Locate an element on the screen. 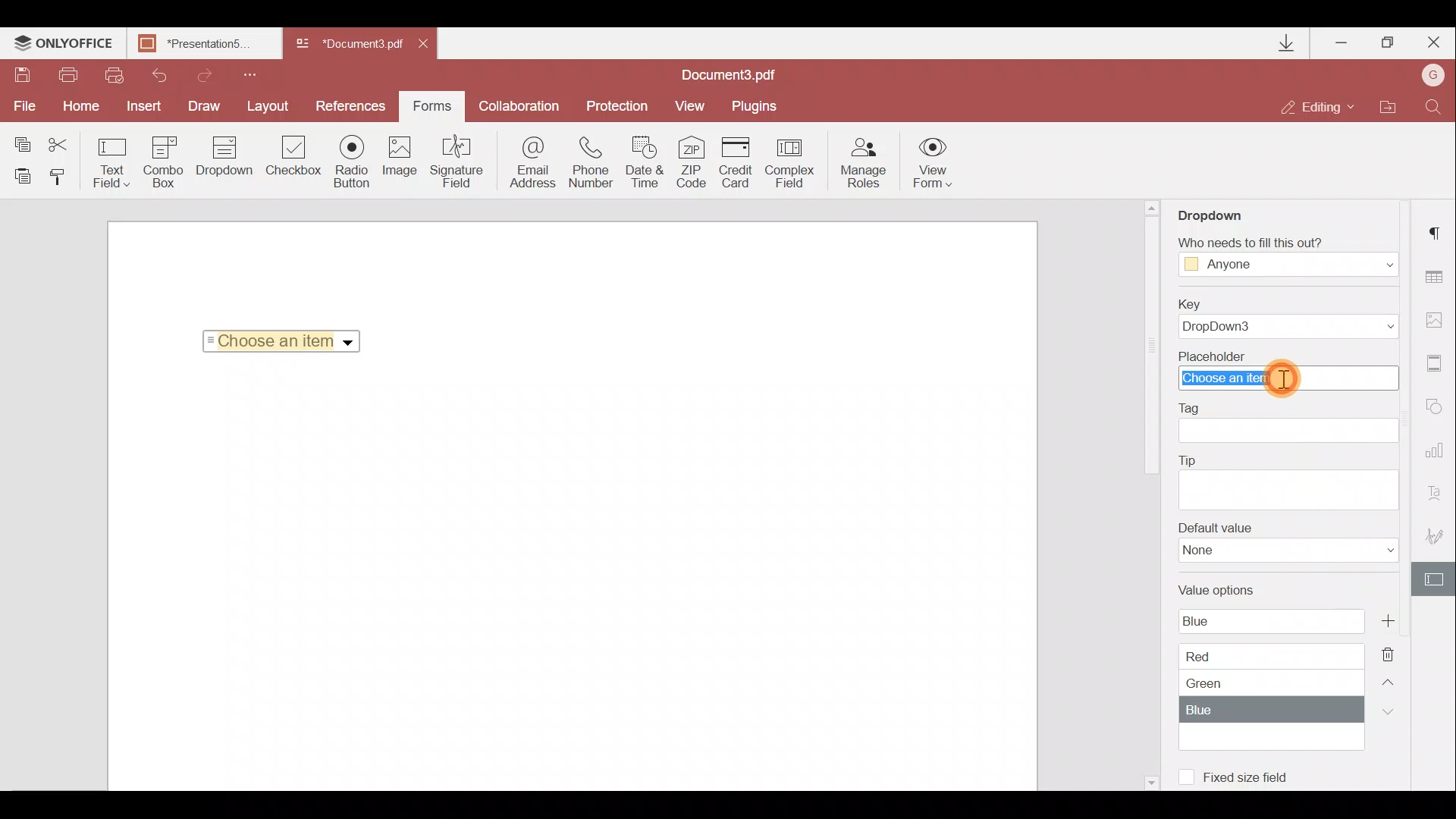 The height and width of the screenshot is (819, 1456). Dropdown is located at coordinates (350, 343).